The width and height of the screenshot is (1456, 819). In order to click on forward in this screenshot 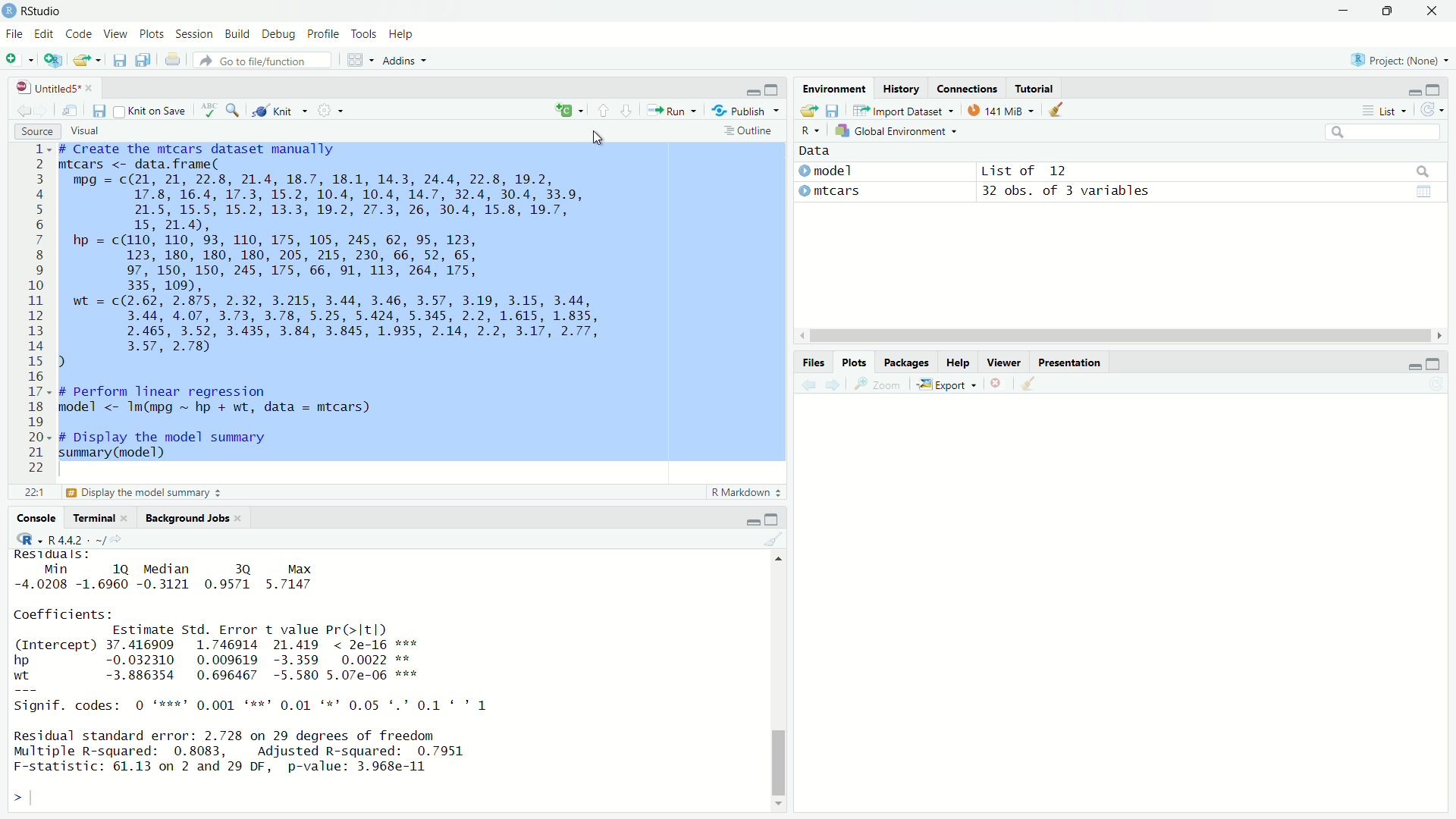, I will do `click(836, 385)`.